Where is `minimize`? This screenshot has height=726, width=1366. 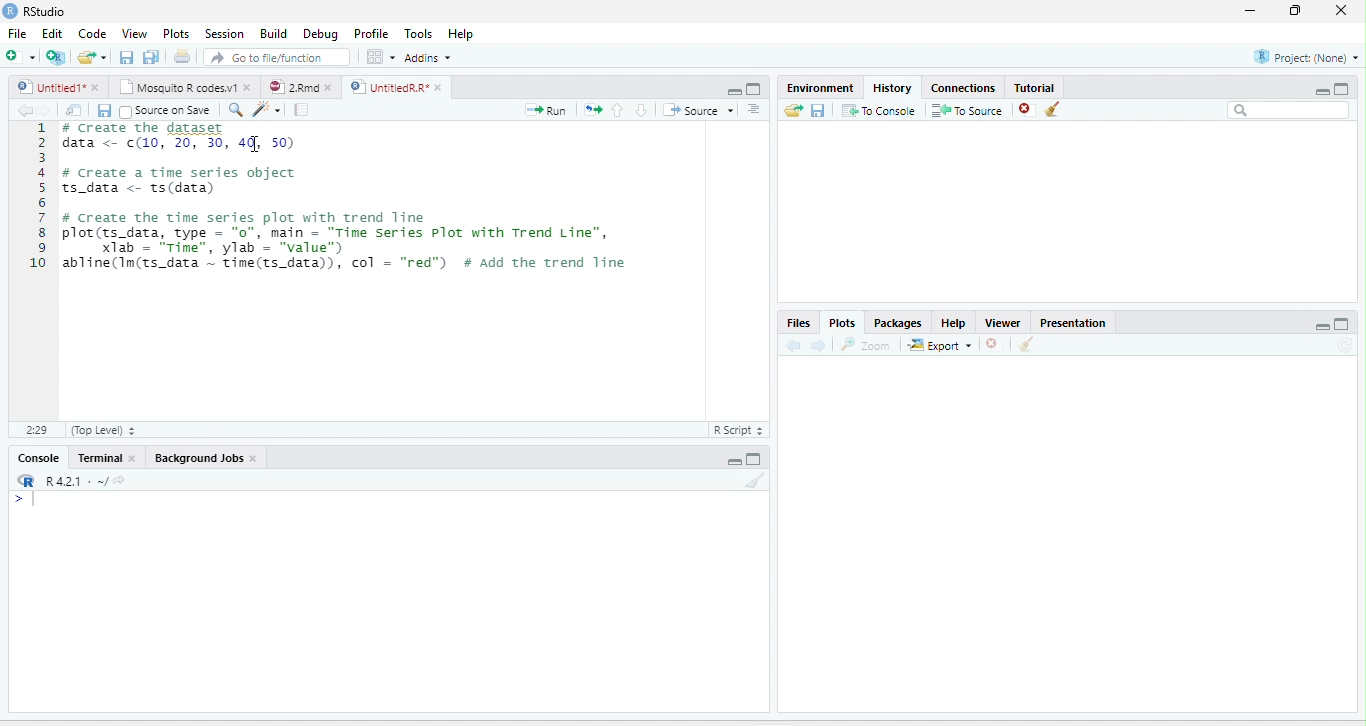 minimize is located at coordinates (1250, 11).